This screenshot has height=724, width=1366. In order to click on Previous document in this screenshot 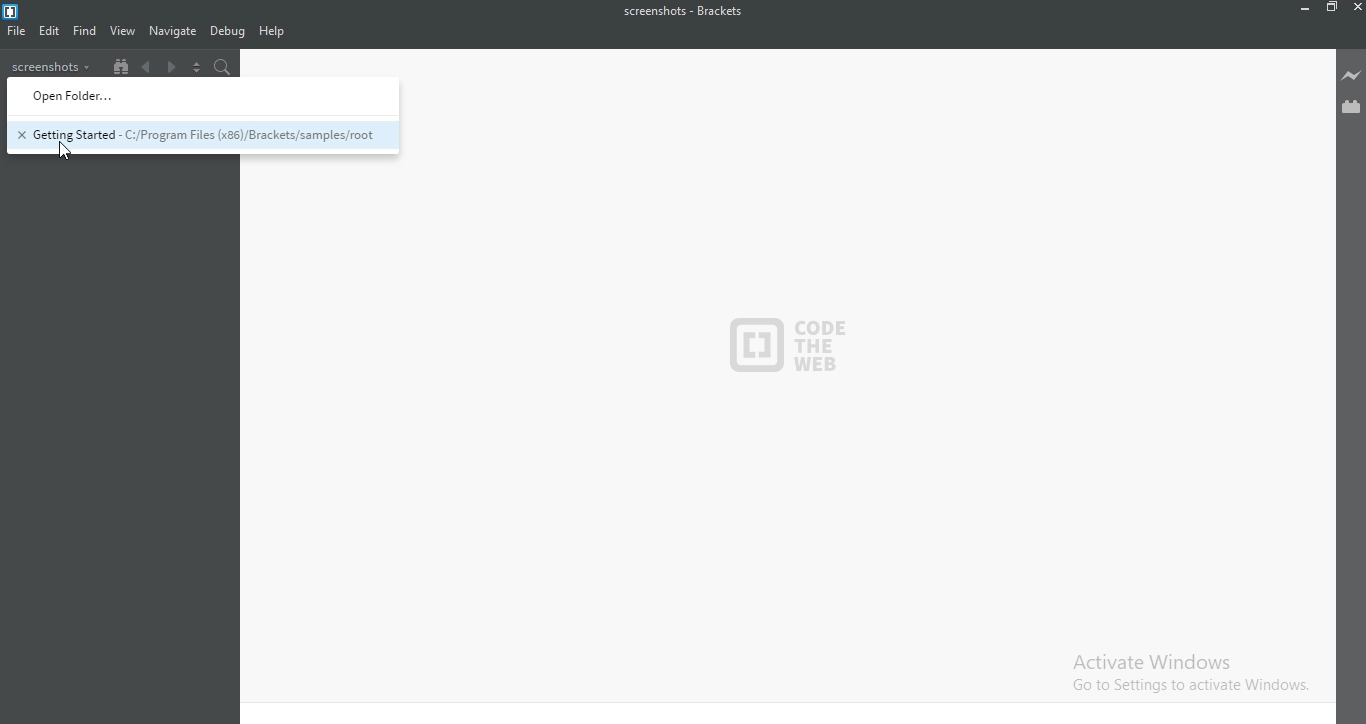, I will do `click(148, 65)`.